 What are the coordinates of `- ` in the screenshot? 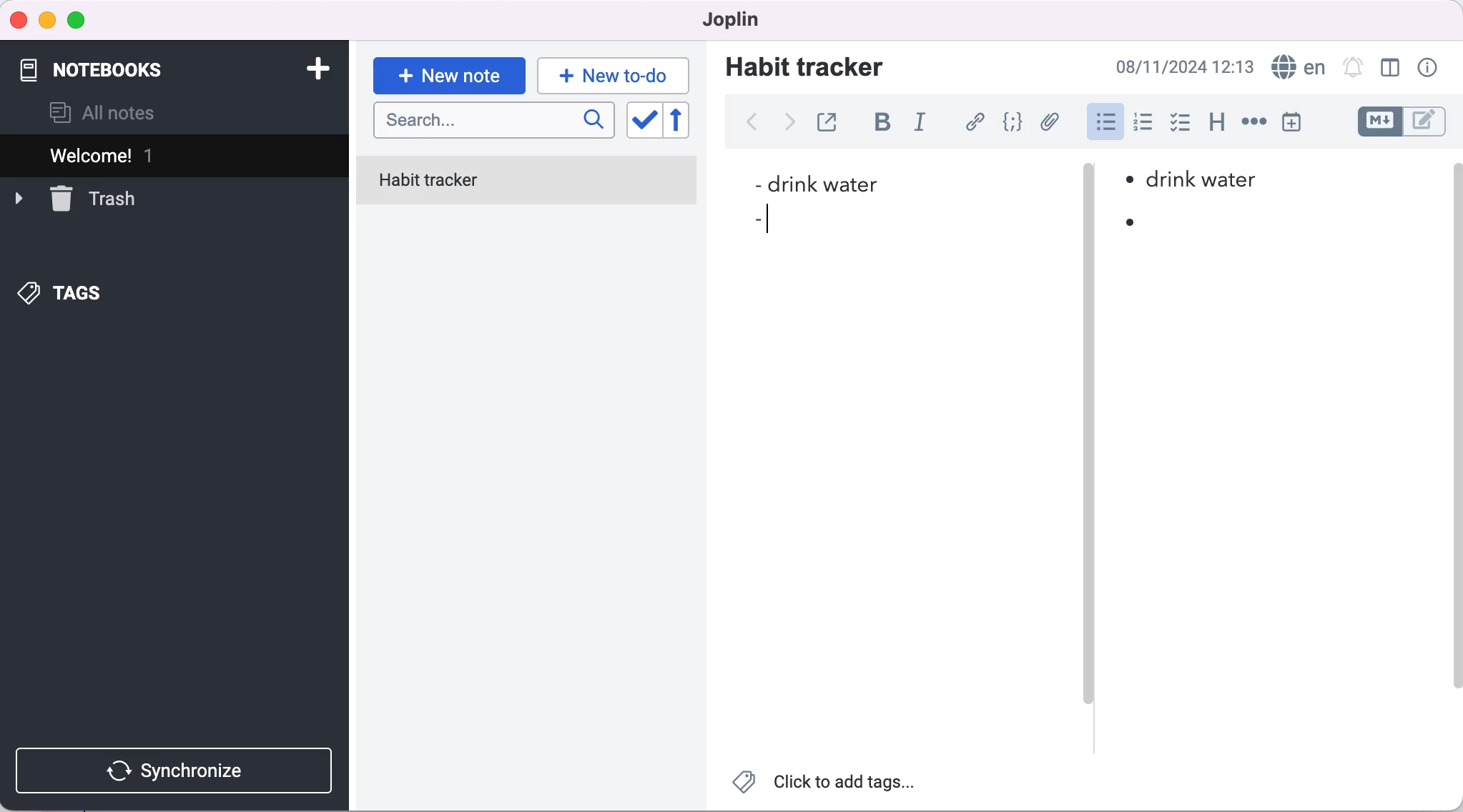 It's located at (757, 222).